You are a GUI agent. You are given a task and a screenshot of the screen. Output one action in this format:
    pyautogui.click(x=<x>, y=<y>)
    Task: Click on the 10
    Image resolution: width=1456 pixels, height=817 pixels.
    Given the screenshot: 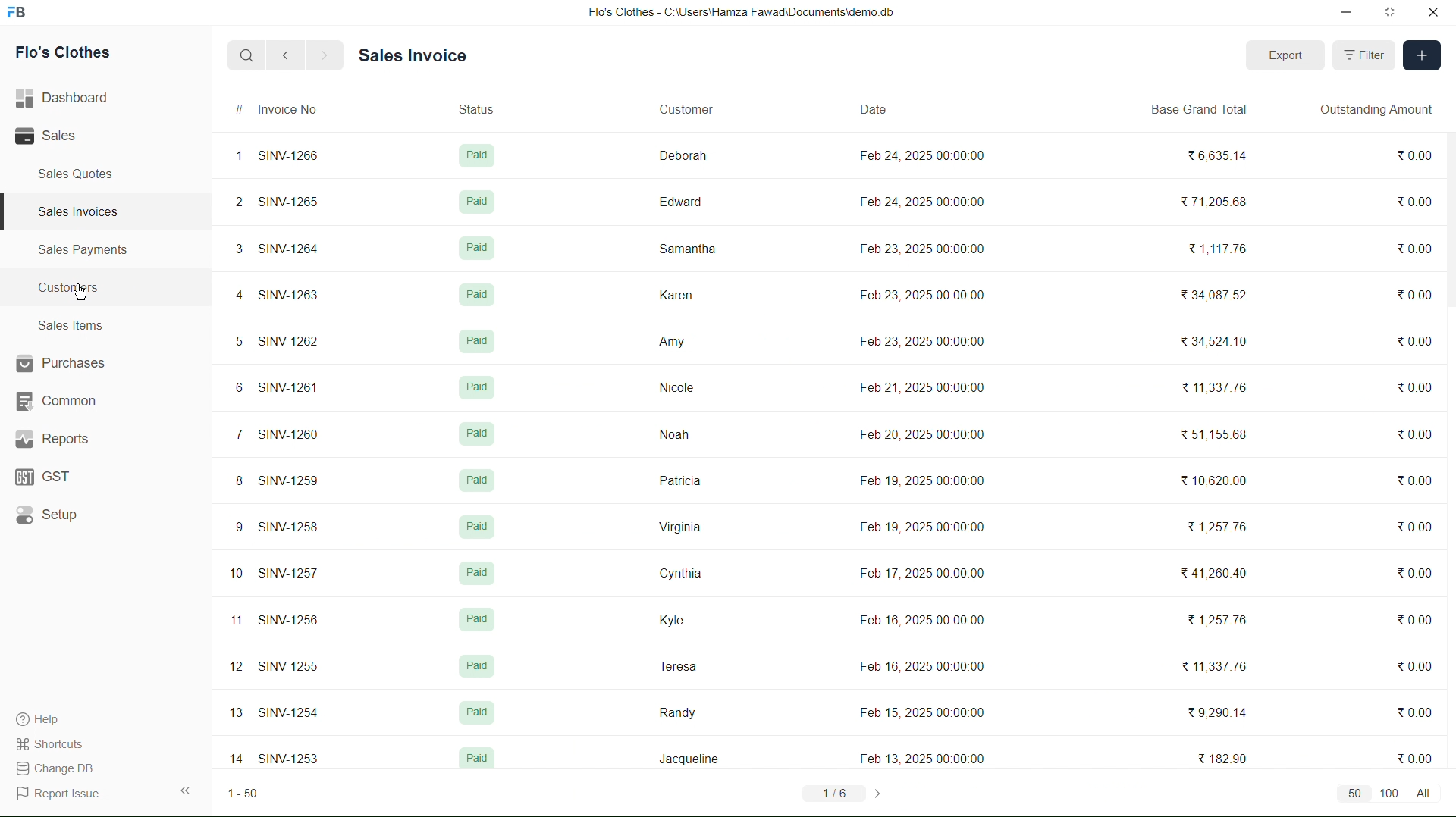 What is the action you would take?
    pyautogui.click(x=235, y=574)
    